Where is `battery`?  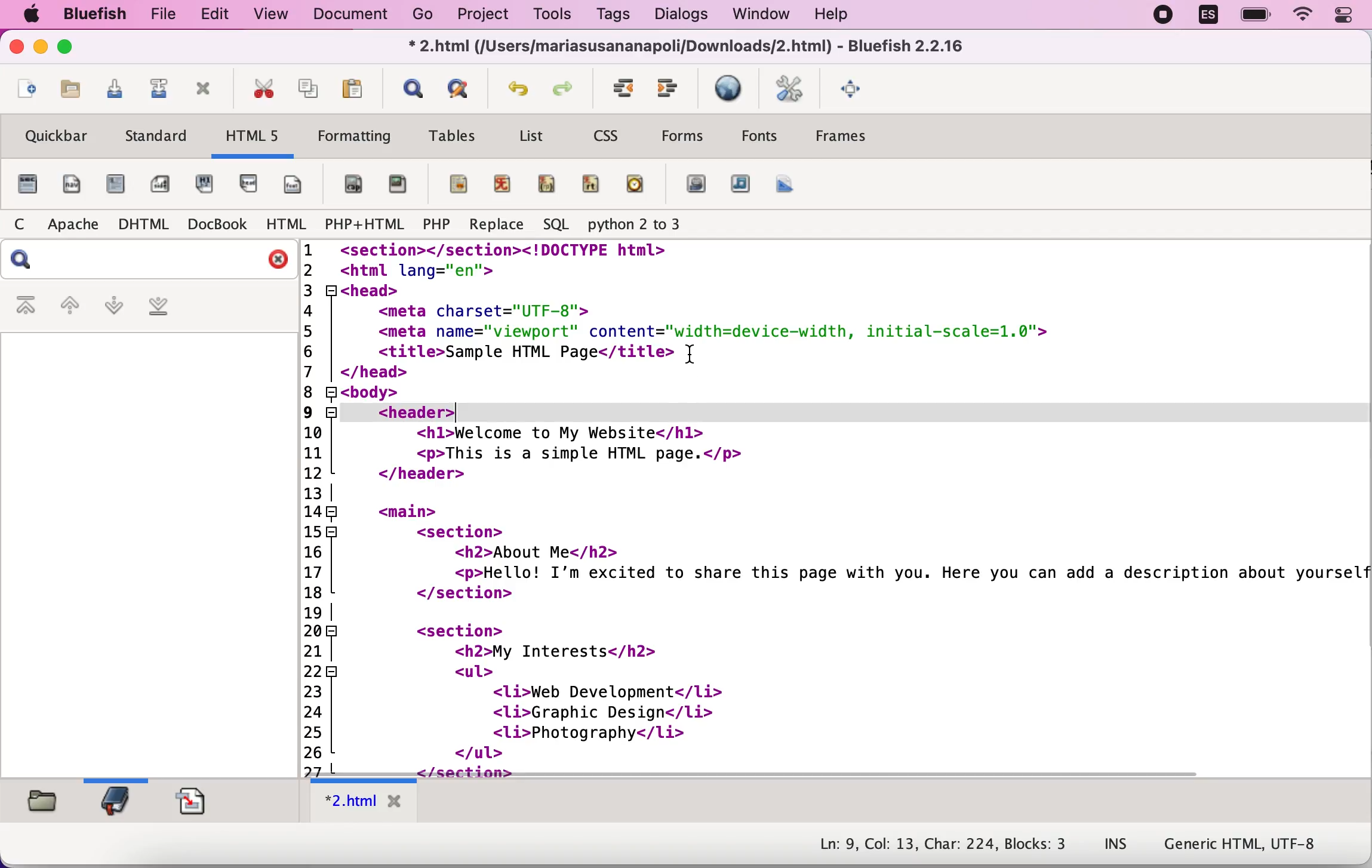
battery is located at coordinates (1256, 16).